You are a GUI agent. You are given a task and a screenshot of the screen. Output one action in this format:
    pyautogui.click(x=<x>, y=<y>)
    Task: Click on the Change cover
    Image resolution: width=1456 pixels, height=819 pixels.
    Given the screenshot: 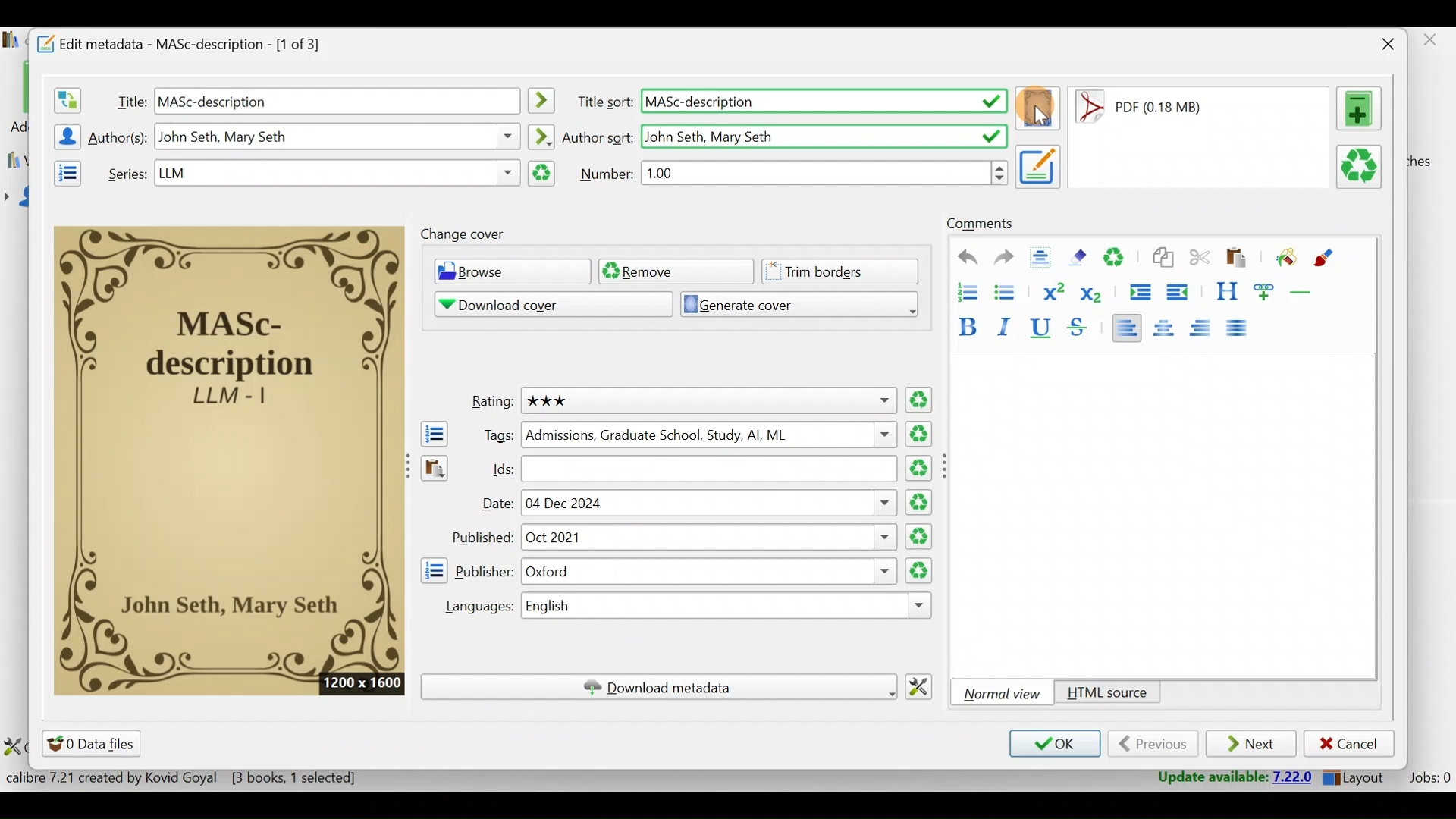 What is the action you would take?
    pyautogui.click(x=466, y=234)
    